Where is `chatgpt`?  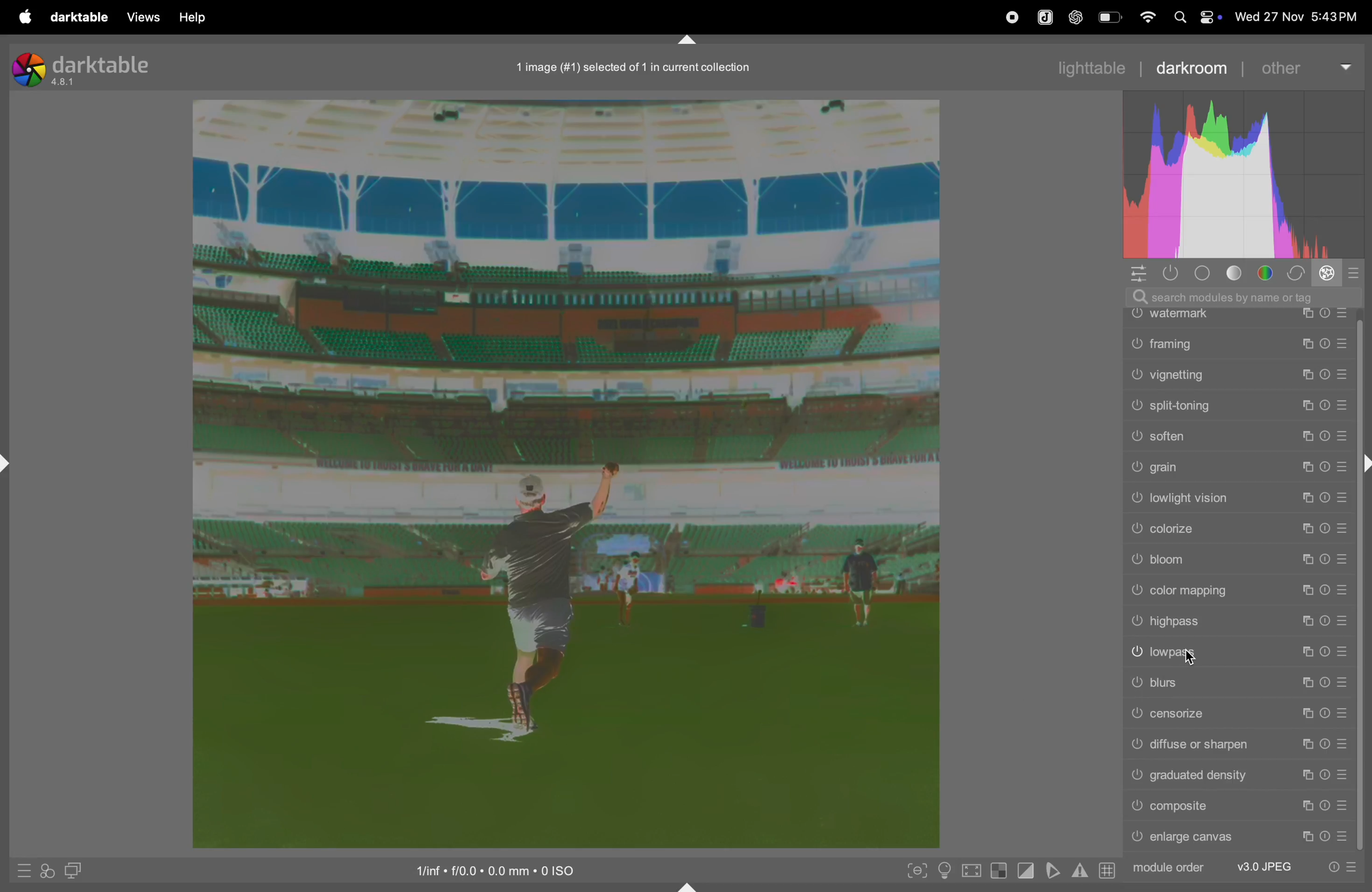
chatgpt is located at coordinates (1074, 18).